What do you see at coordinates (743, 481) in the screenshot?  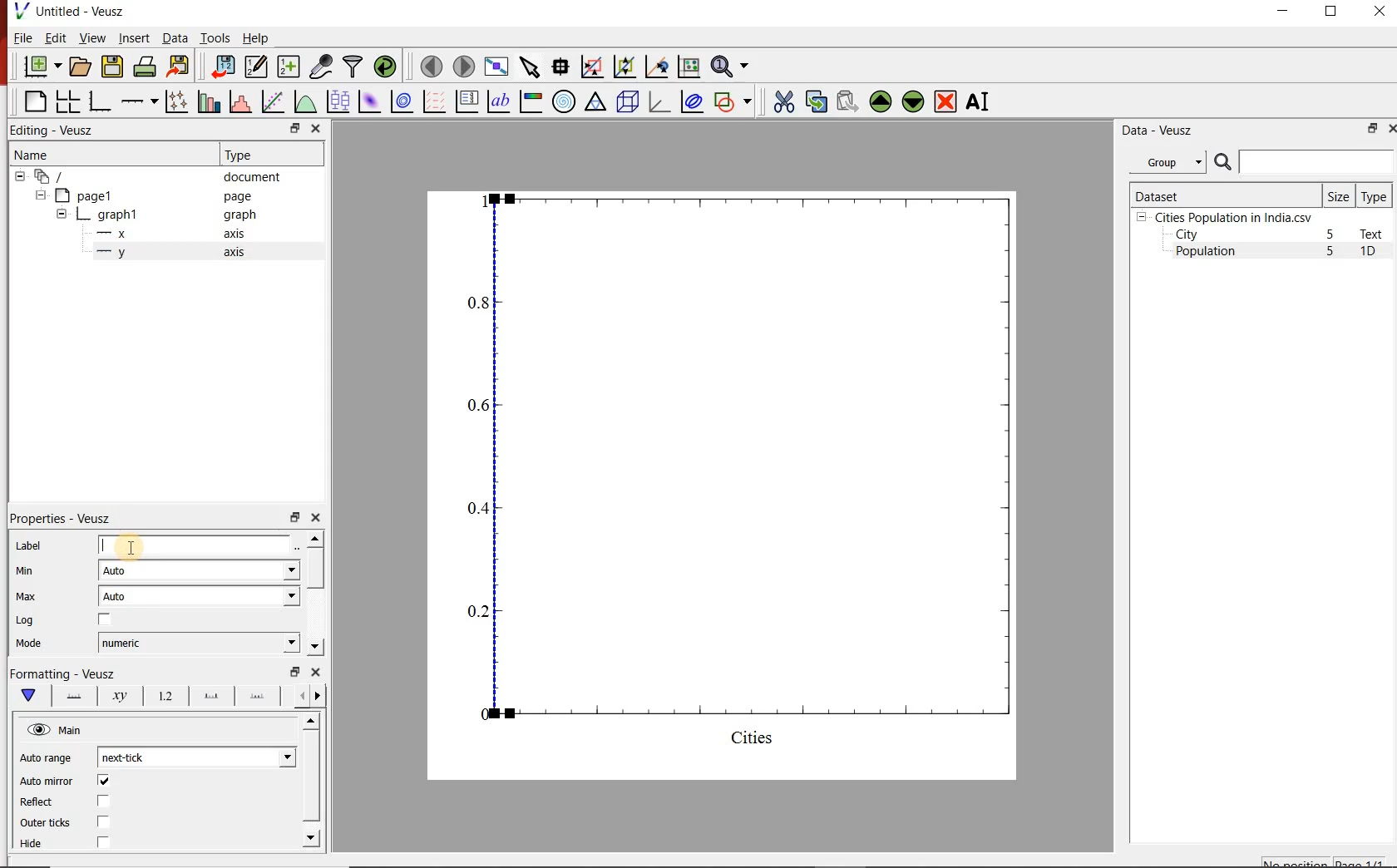 I see `graph1` at bounding box center [743, 481].